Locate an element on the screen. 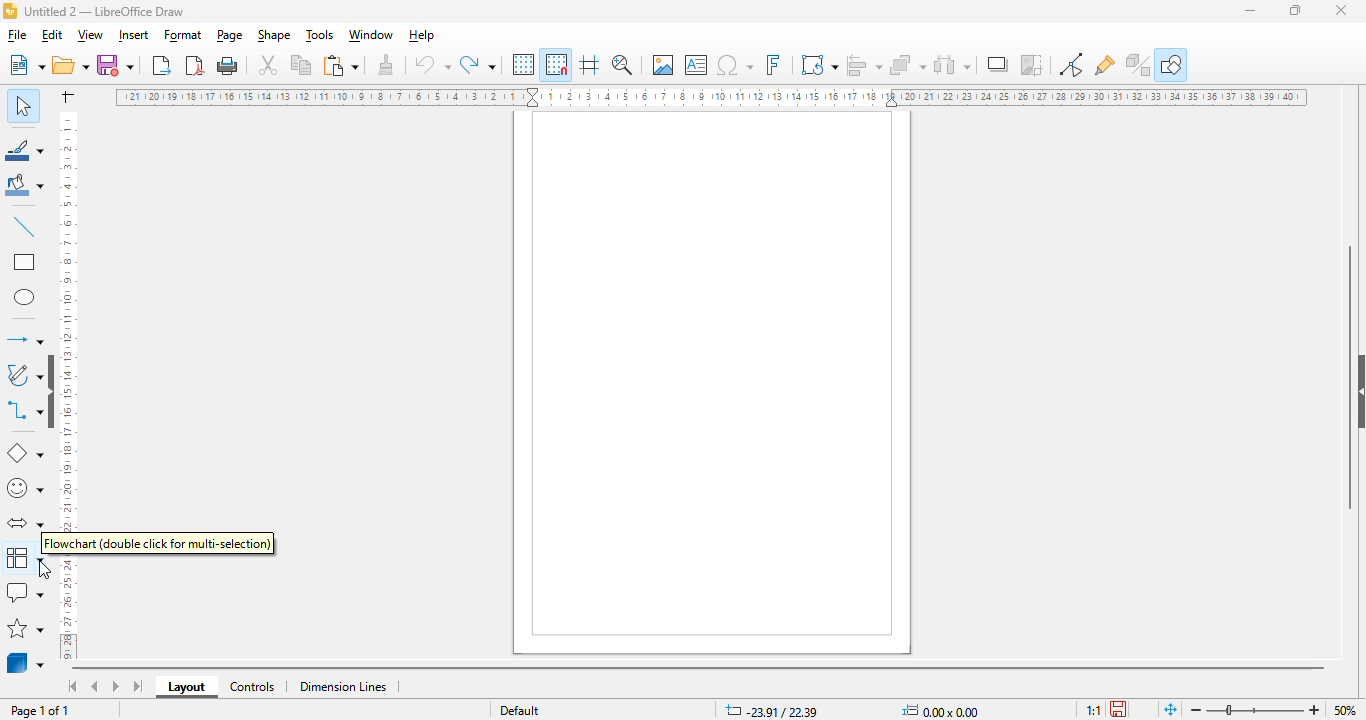 This screenshot has height=720, width=1366. width and height of the selected object is located at coordinates (942, 710).